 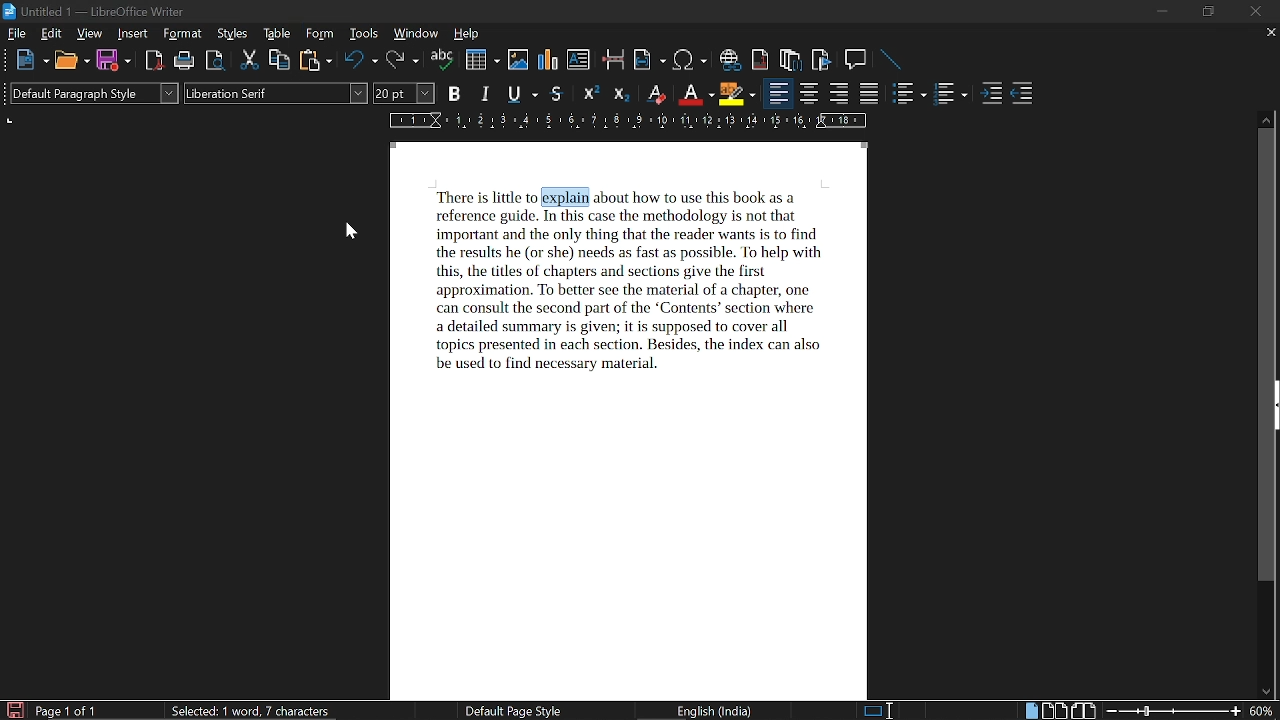 What do you see at coordinates (1263, 711) in the screenshot?
I see `current zoom` at bounding box center [1263, 711].